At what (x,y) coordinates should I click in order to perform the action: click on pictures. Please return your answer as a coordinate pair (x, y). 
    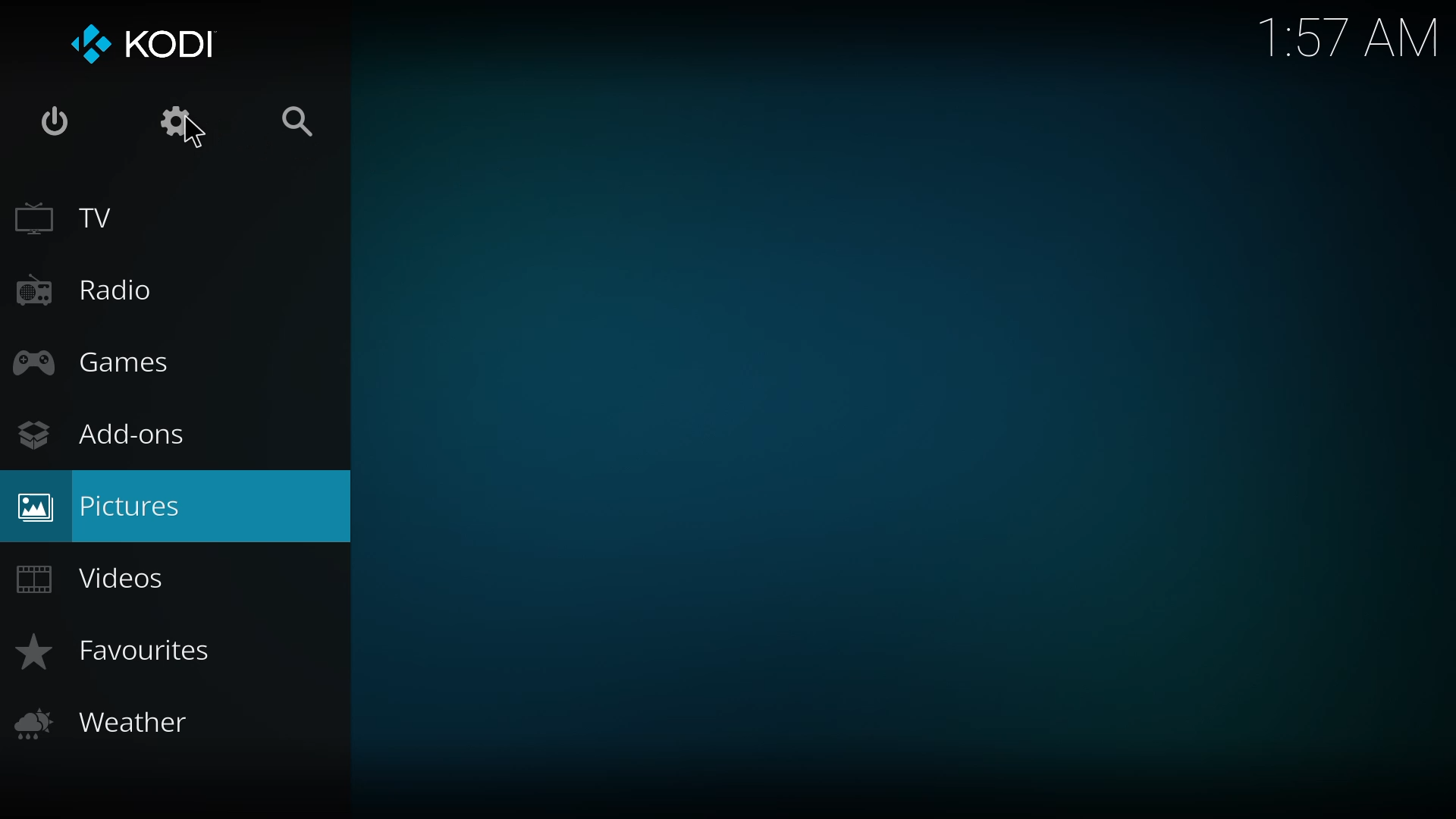
    Looking at the image, I should click on (105, 507).